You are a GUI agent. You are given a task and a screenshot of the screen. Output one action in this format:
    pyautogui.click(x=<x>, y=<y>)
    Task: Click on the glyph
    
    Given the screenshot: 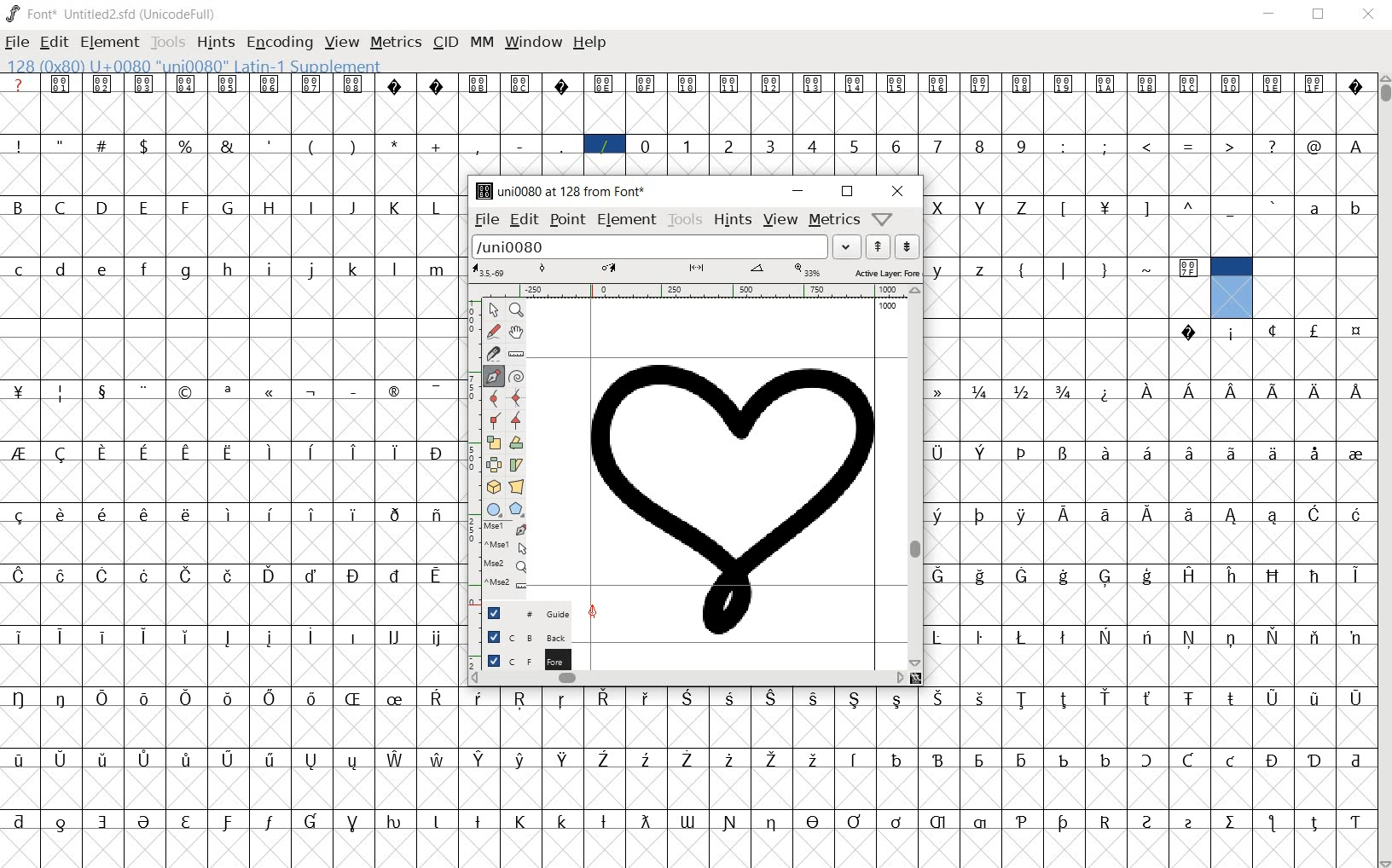 What is the action you would take?
    pyautogui.click(x=188, y=576)
    